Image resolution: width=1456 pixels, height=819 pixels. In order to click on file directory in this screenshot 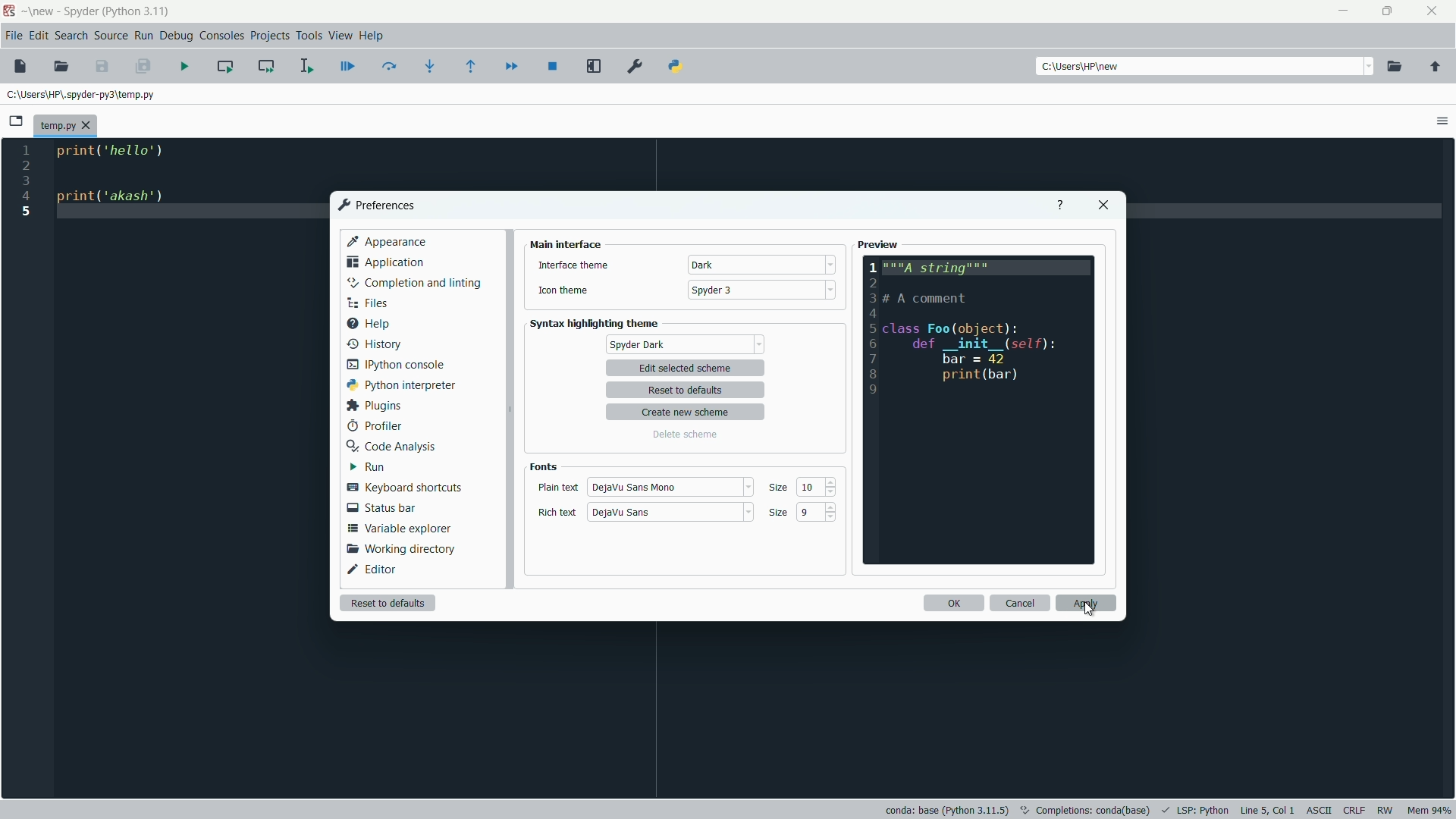, I will do `click(83, 93)`.